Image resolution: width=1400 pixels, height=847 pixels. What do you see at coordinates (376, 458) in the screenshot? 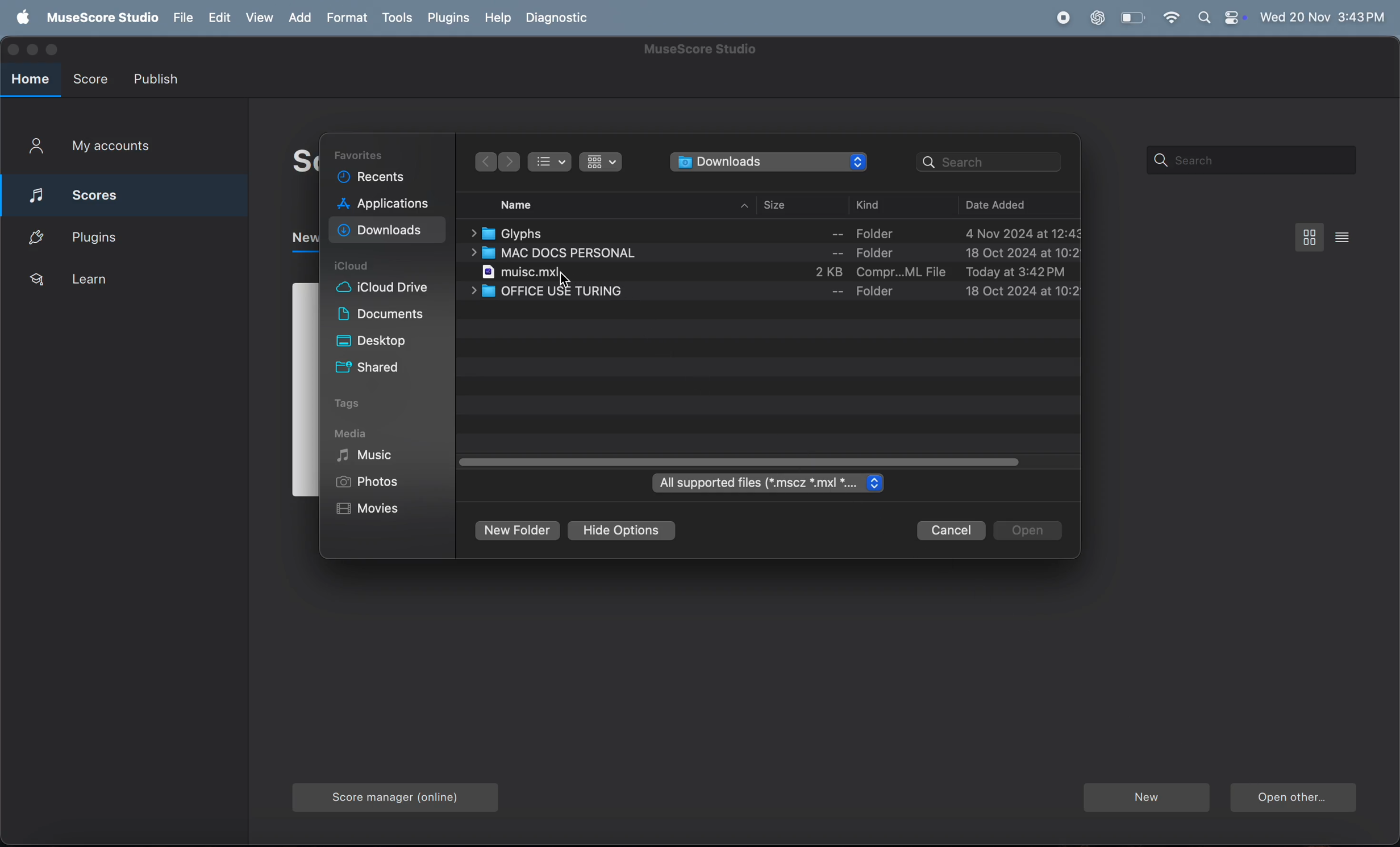
I see `music` at bounding box center [376, 458].